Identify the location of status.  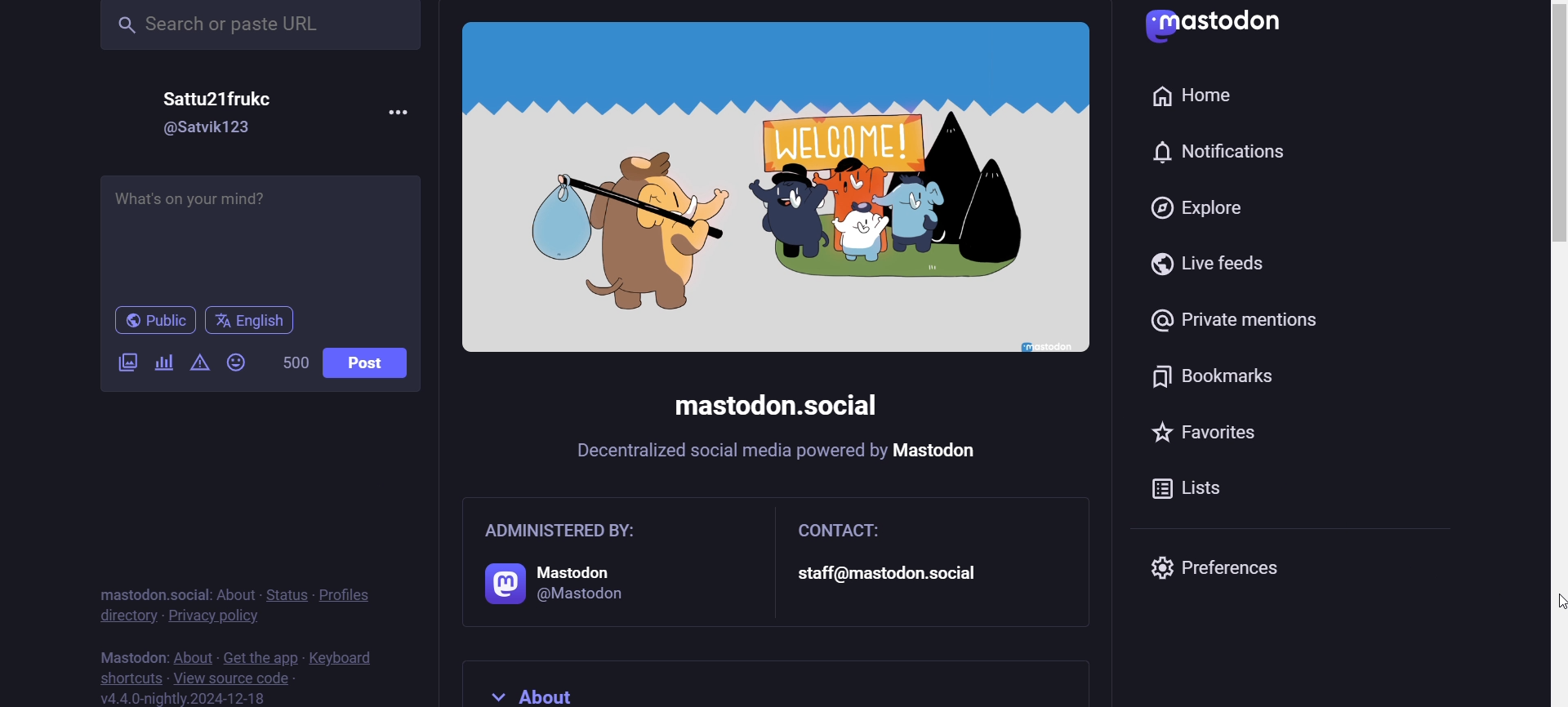
(291, 595).